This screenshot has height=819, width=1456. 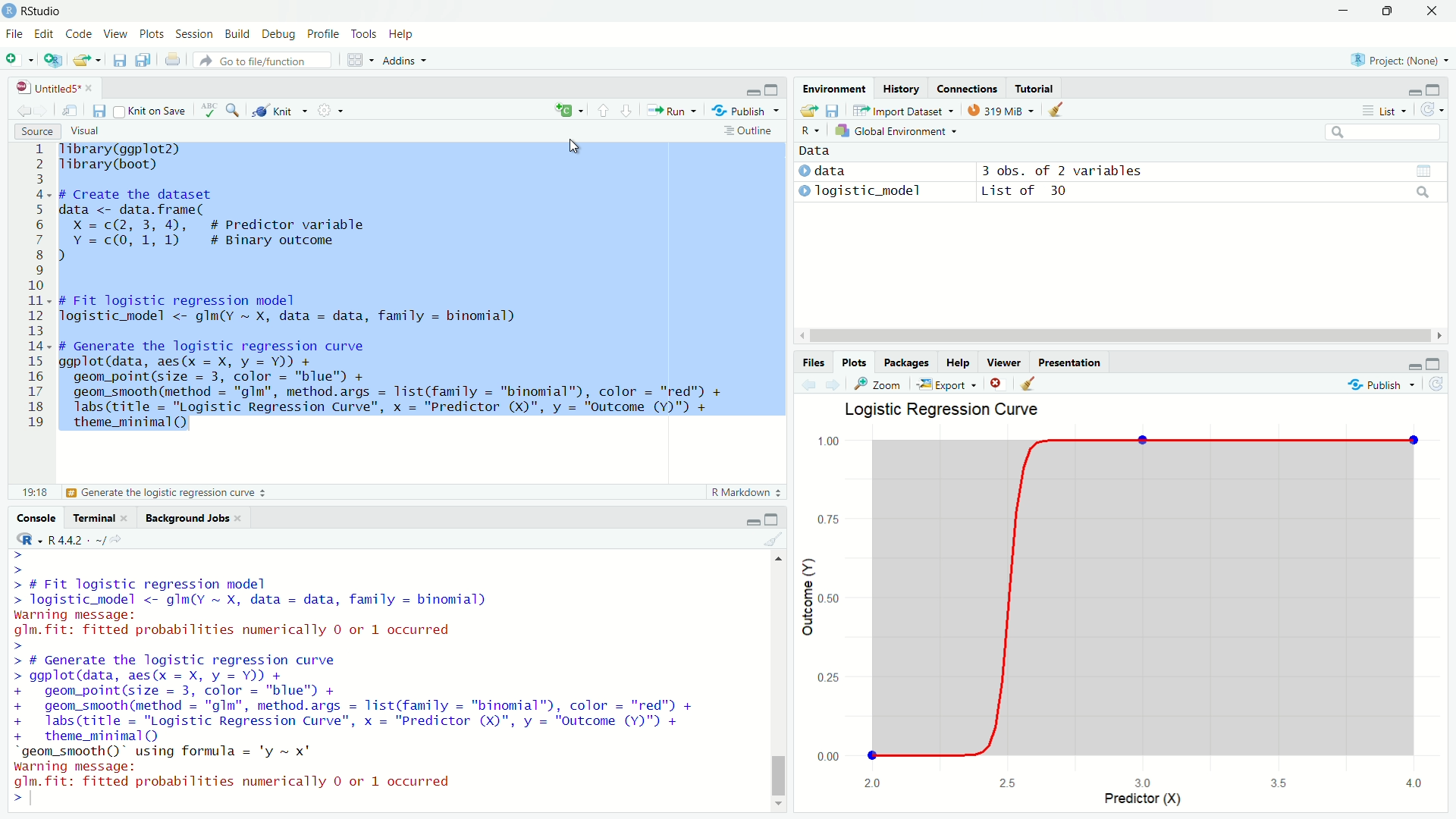 What do you see at coordinates (1121, 336) in the screenshot?
I see `horizontal scroll bar` at bounding box center [1121, 336].